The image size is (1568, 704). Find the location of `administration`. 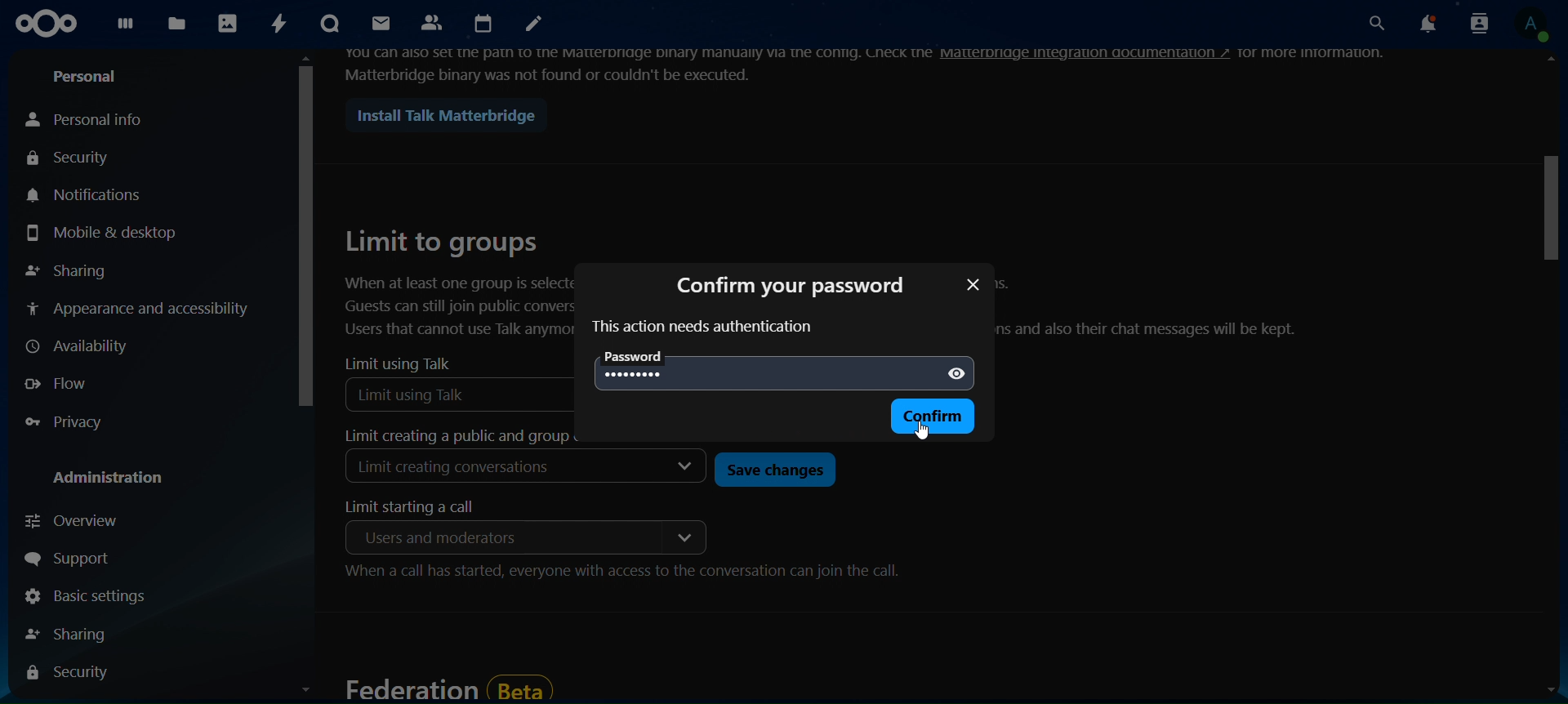

administration is located at coordinates (114, 479).